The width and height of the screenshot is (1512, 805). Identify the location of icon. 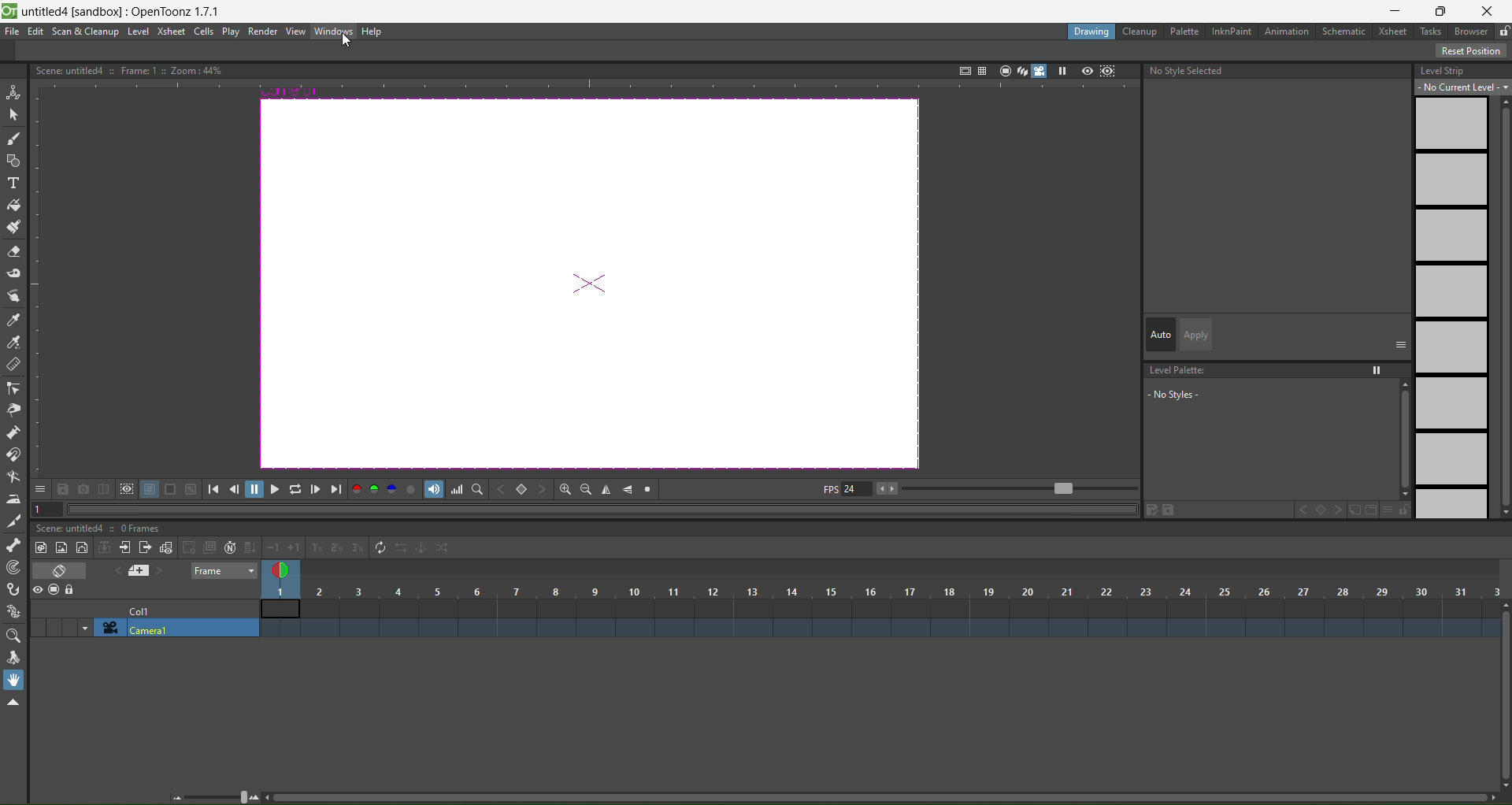
(117, 490).